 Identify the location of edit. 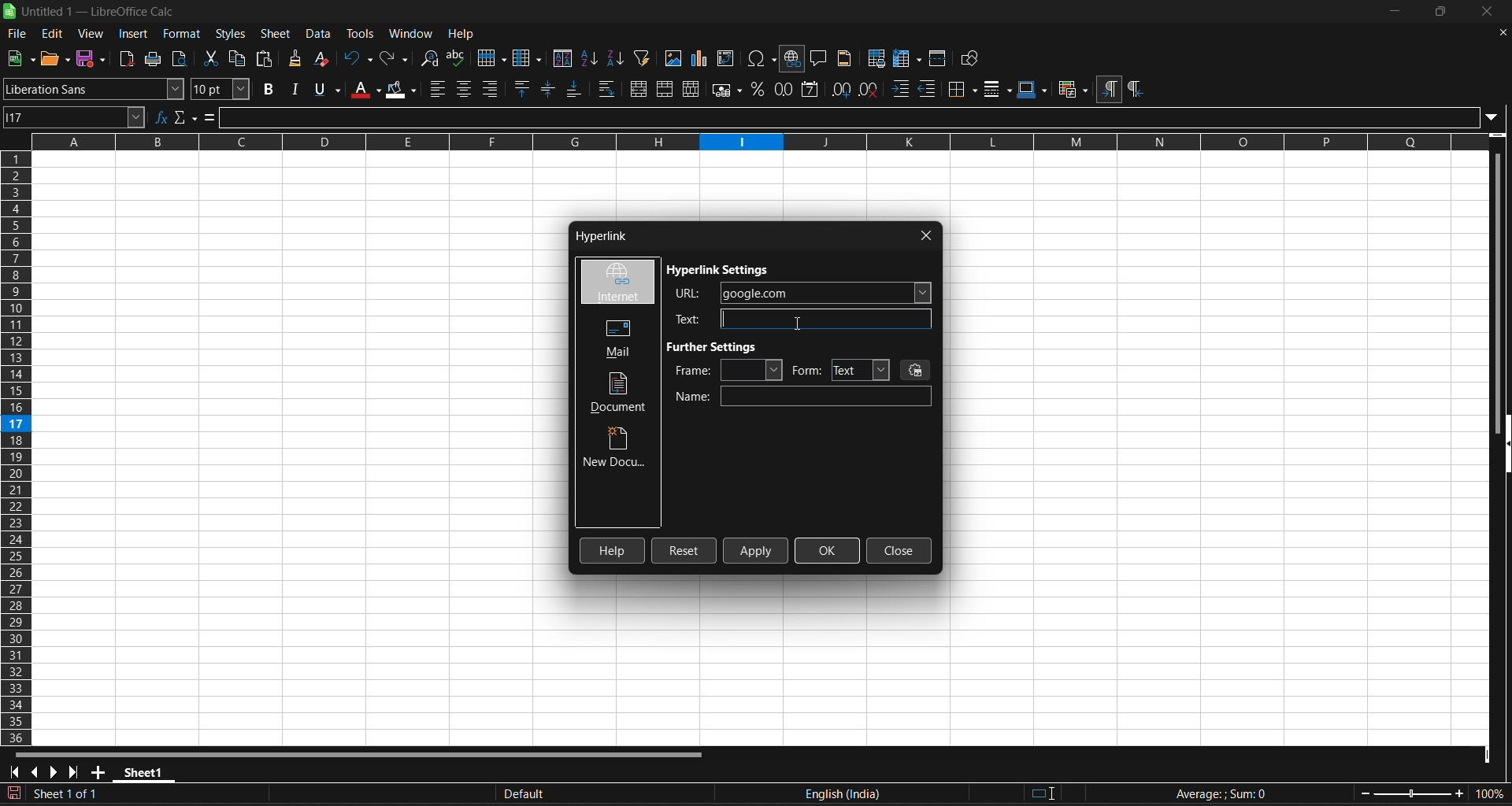
(53, 34).